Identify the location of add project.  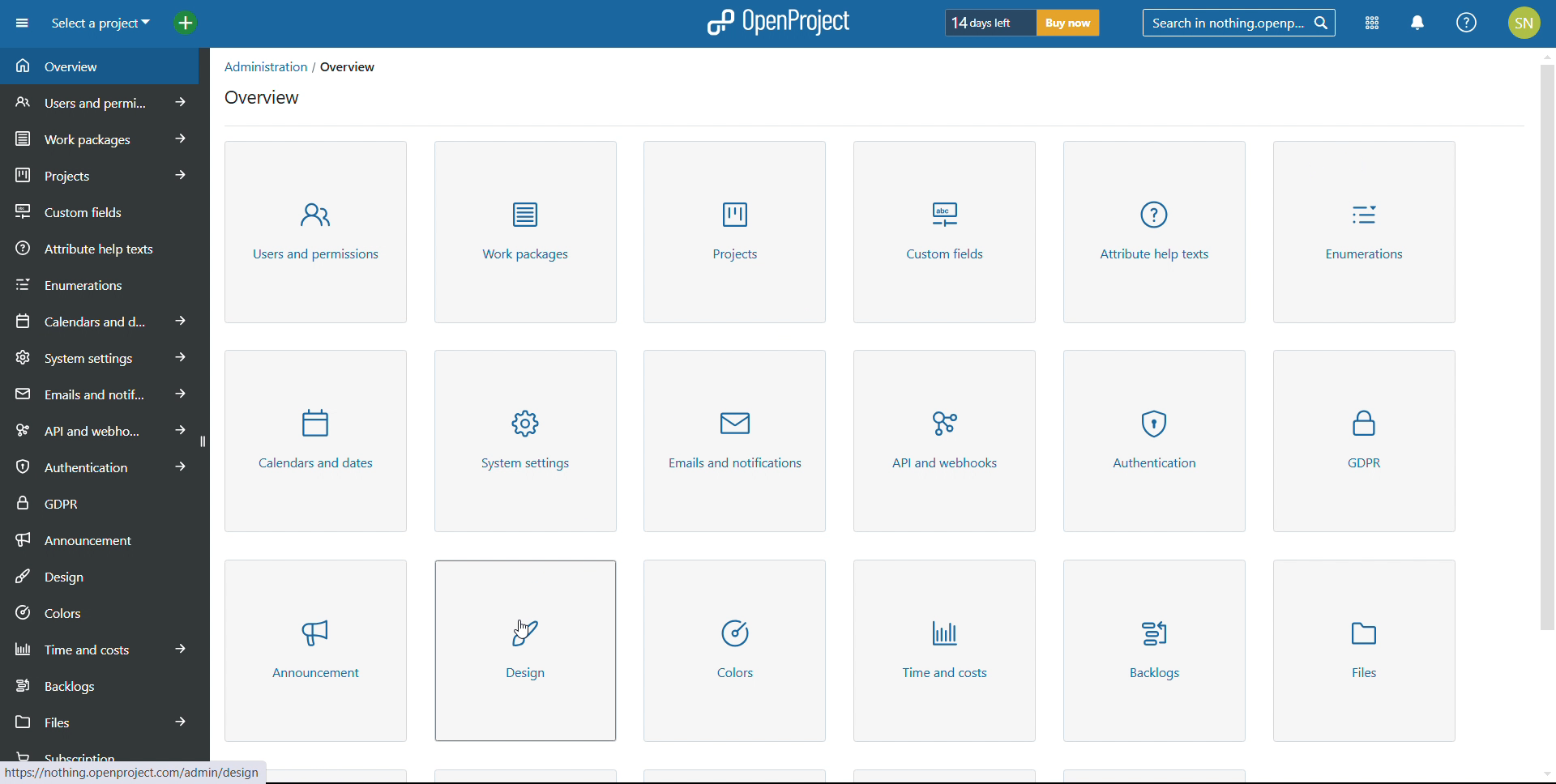
(186, 23).